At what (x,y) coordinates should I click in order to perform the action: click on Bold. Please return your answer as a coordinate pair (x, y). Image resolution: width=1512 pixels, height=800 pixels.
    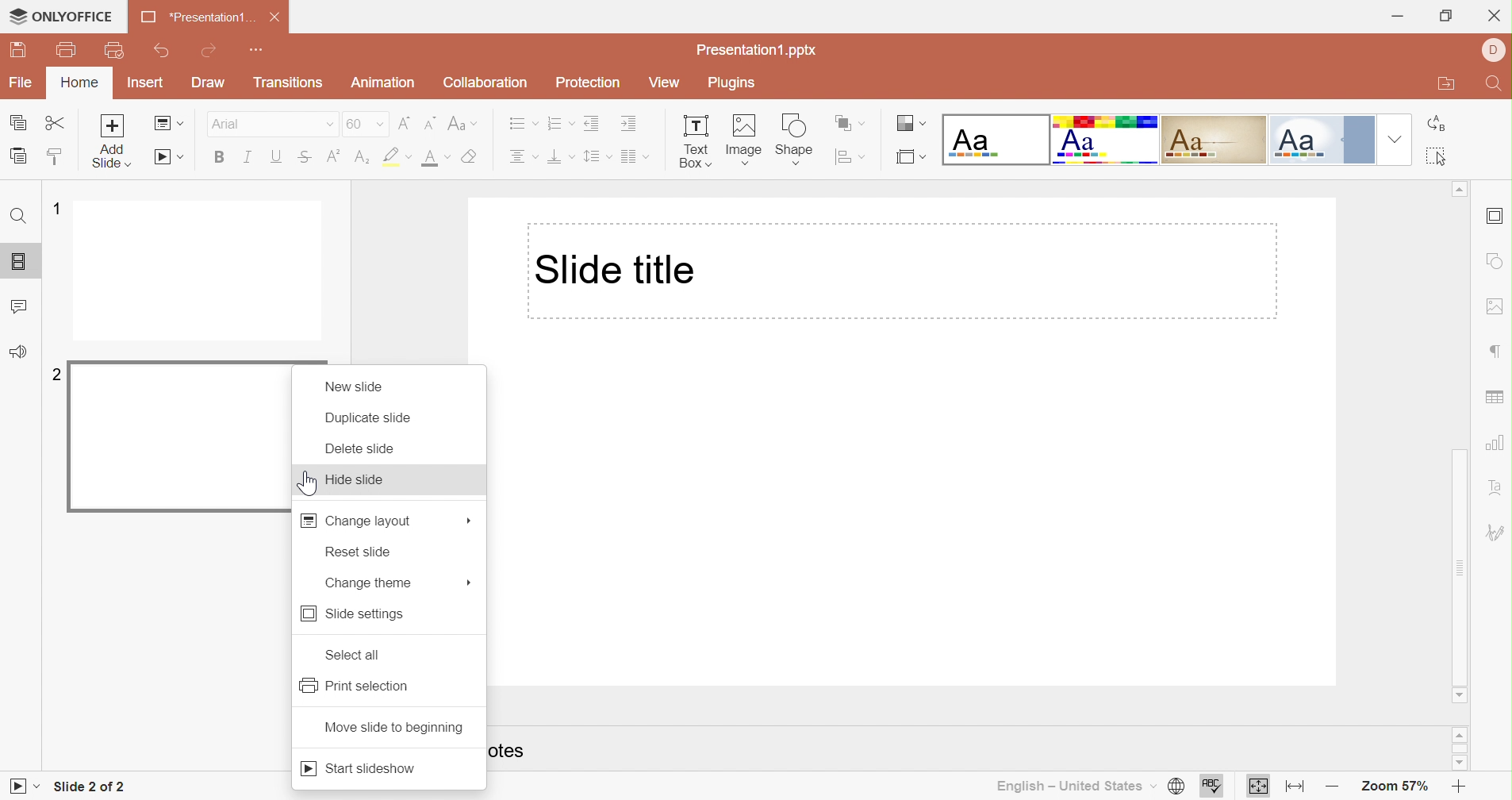
    Looking at the image, I should click on (223, 157).